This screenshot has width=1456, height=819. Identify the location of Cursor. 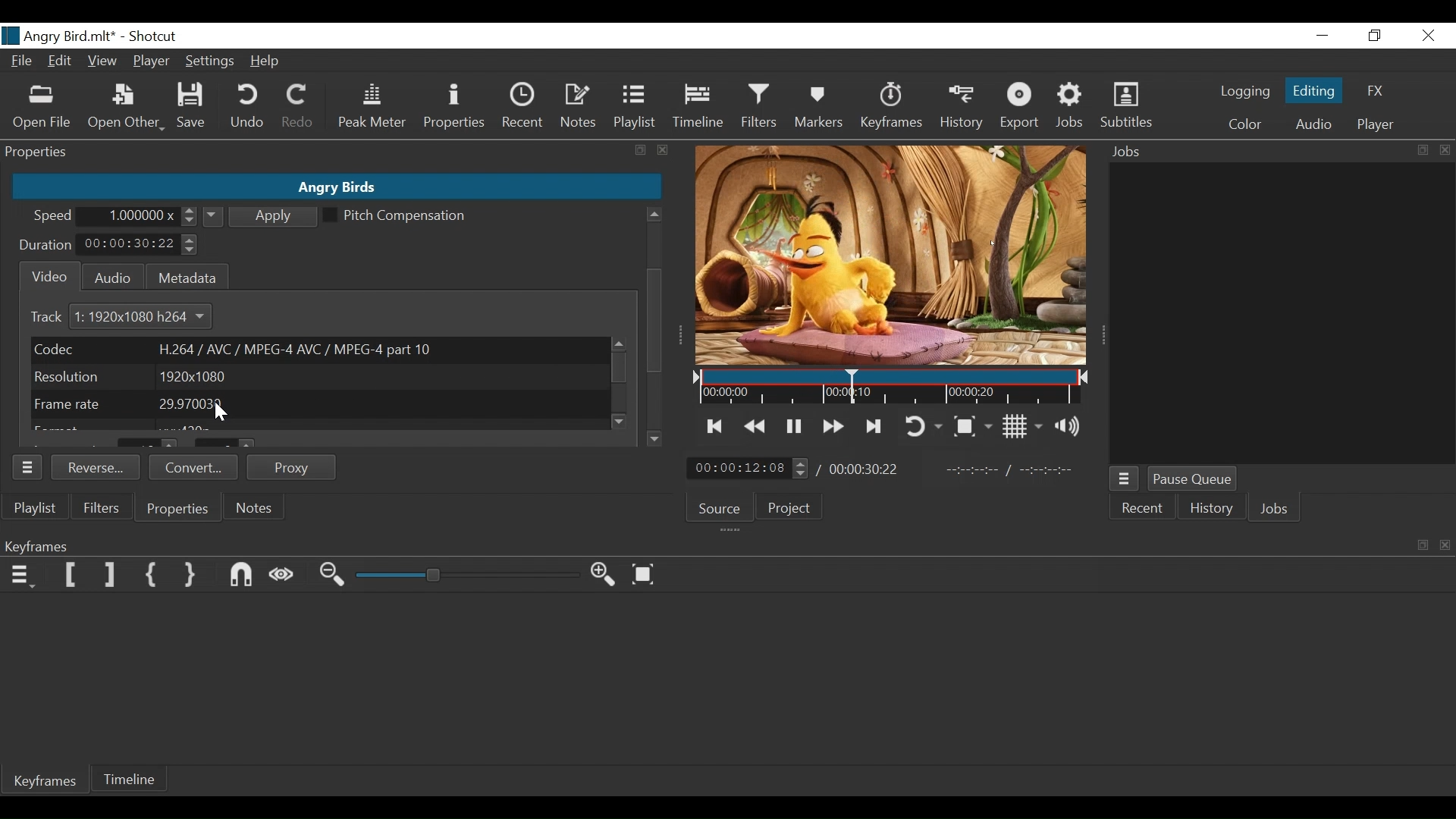
(659, 357).